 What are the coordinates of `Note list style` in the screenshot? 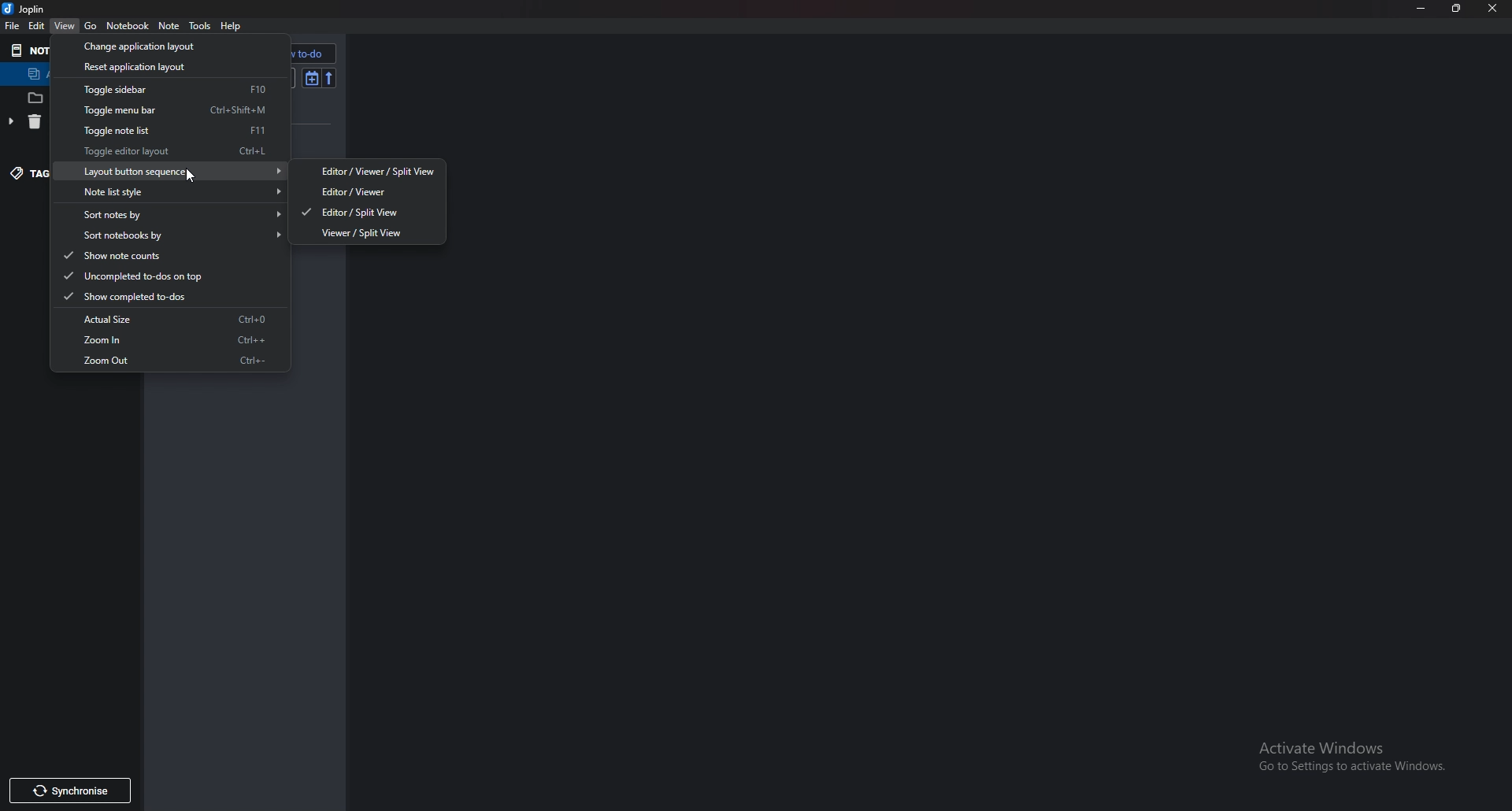 It's located at (175, 191).